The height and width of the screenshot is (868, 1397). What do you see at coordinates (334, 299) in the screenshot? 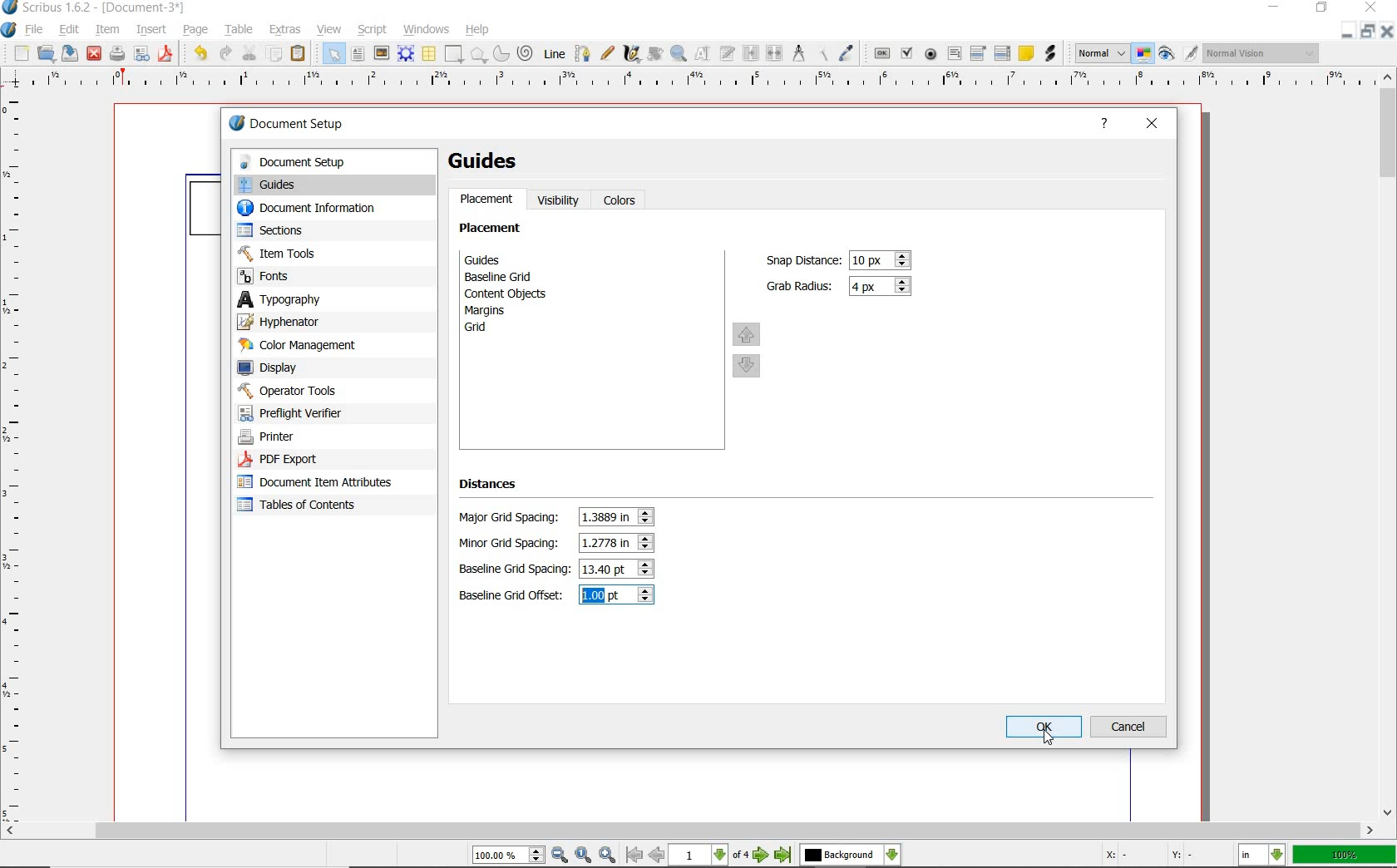
I see `typography` at bounding box center [334, 299].